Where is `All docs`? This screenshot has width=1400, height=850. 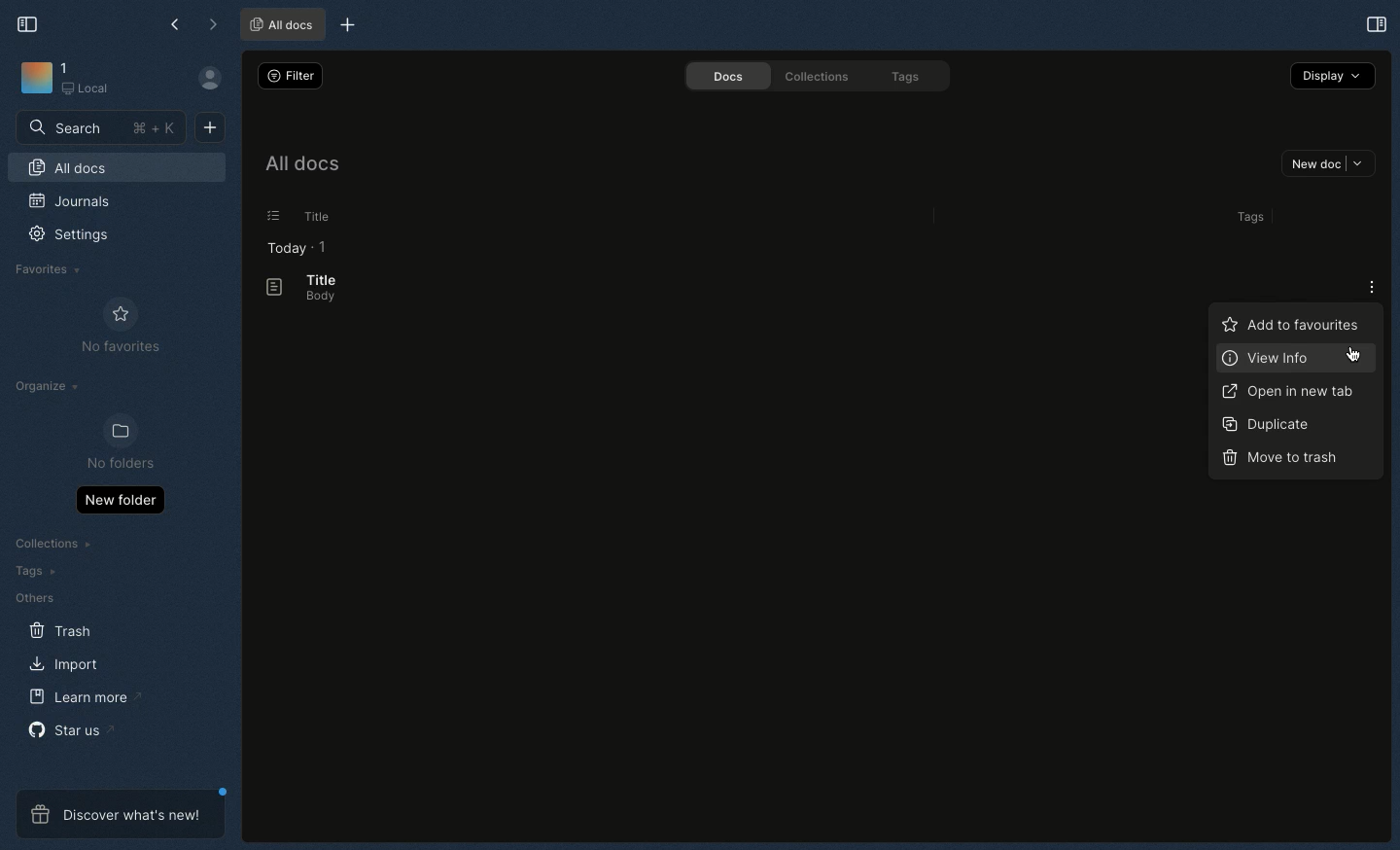
All docs is located at coordinates (117, 170).